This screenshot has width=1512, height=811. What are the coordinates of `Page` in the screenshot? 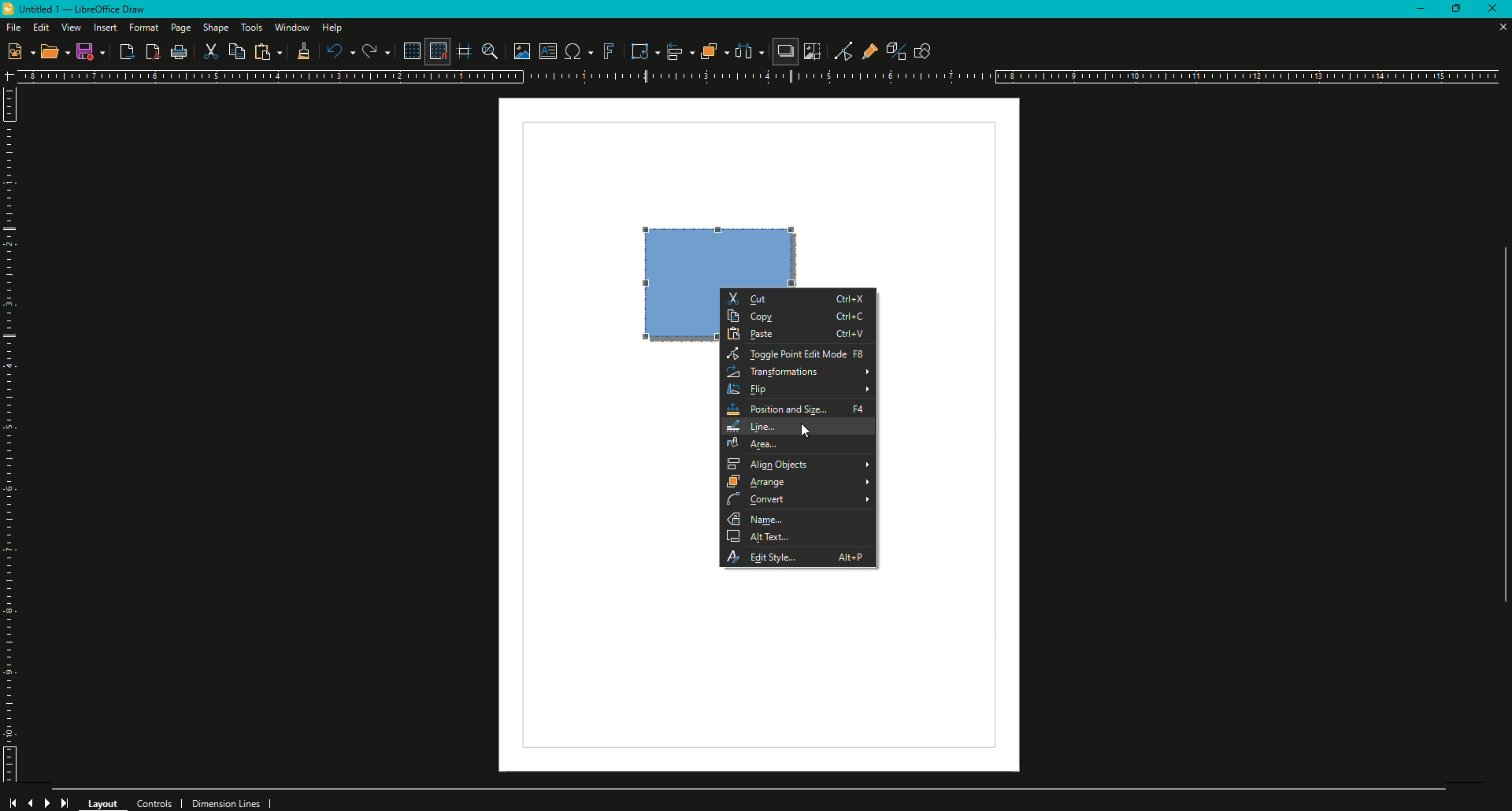 It's located at (180, 29).